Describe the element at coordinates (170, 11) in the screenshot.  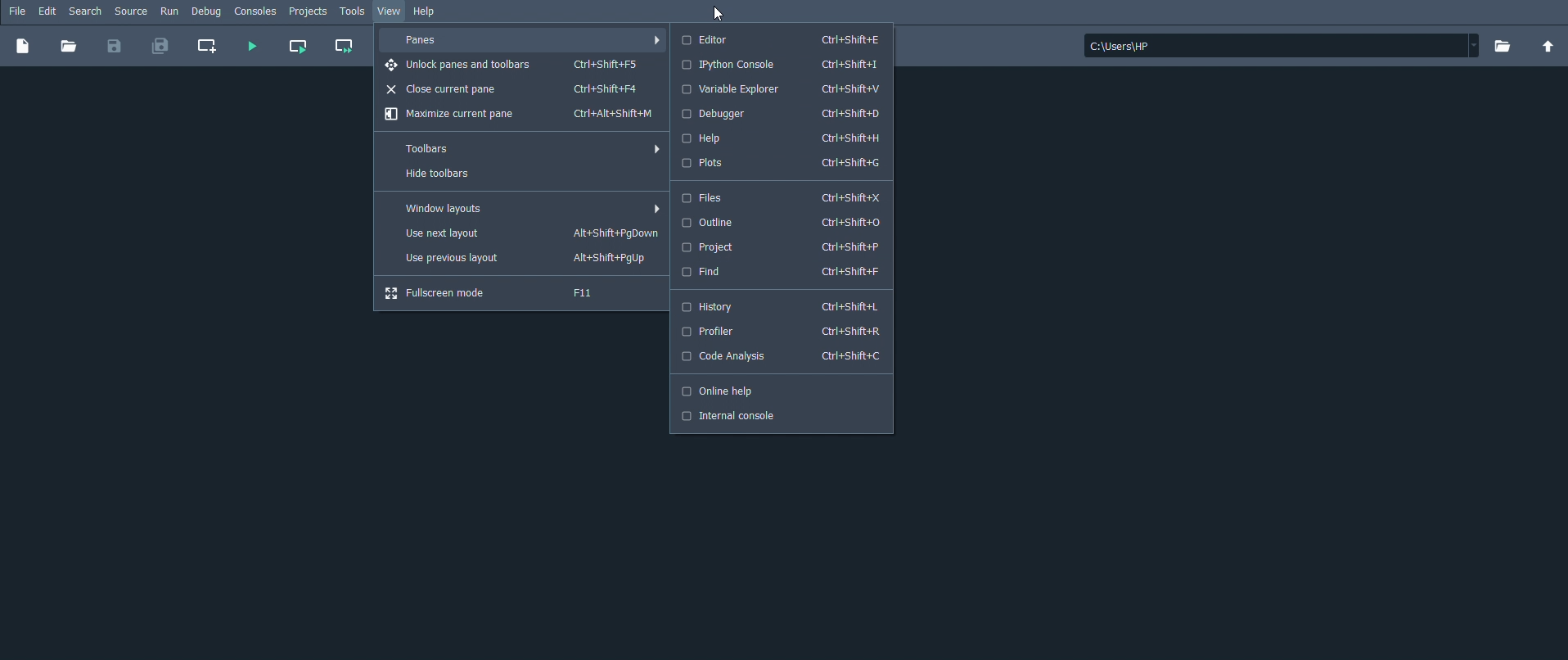
I see `Run` at that location.